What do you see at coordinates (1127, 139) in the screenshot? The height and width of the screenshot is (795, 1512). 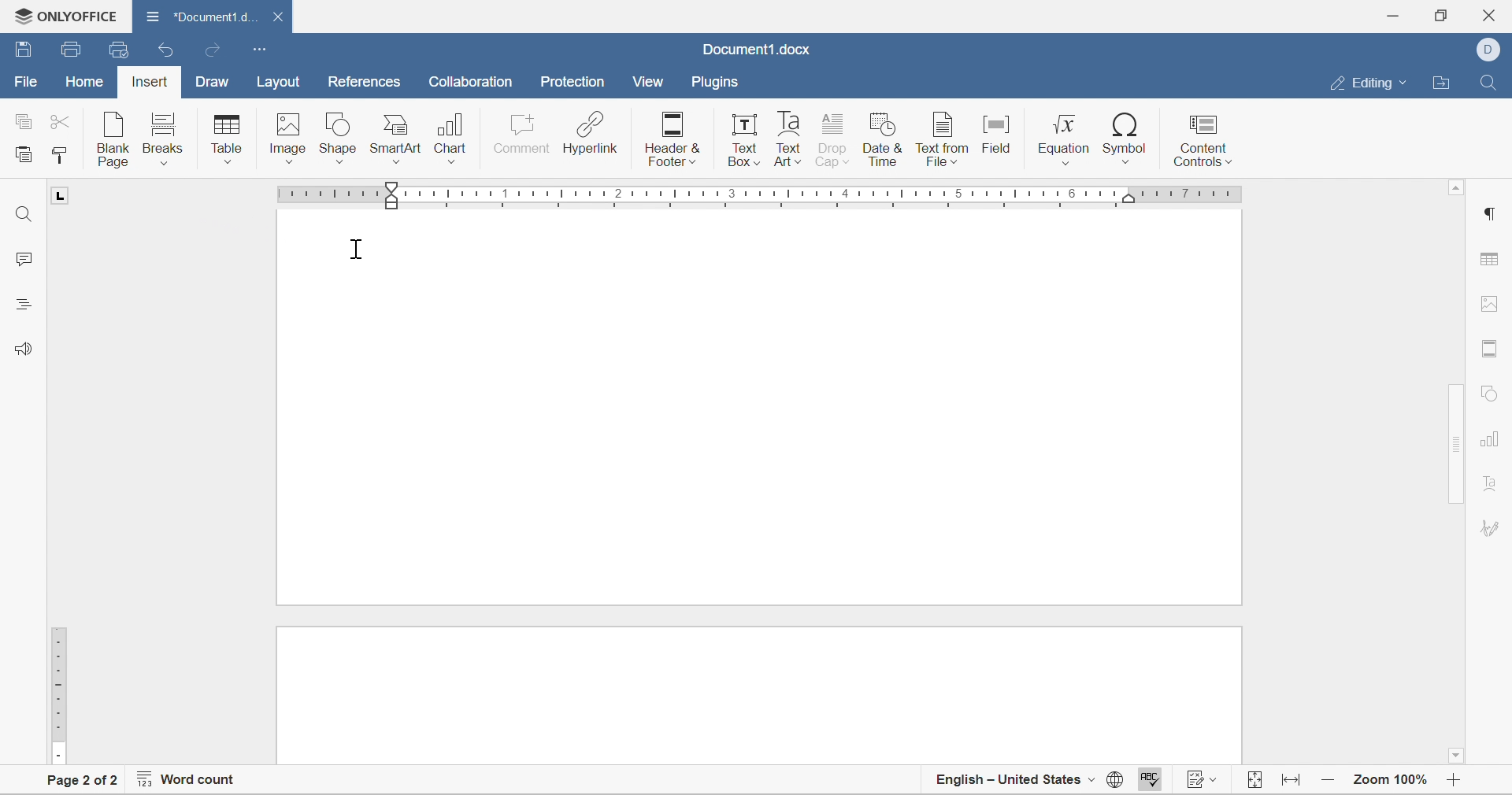 I see `Symbol` at bounding box center [1127, 139].